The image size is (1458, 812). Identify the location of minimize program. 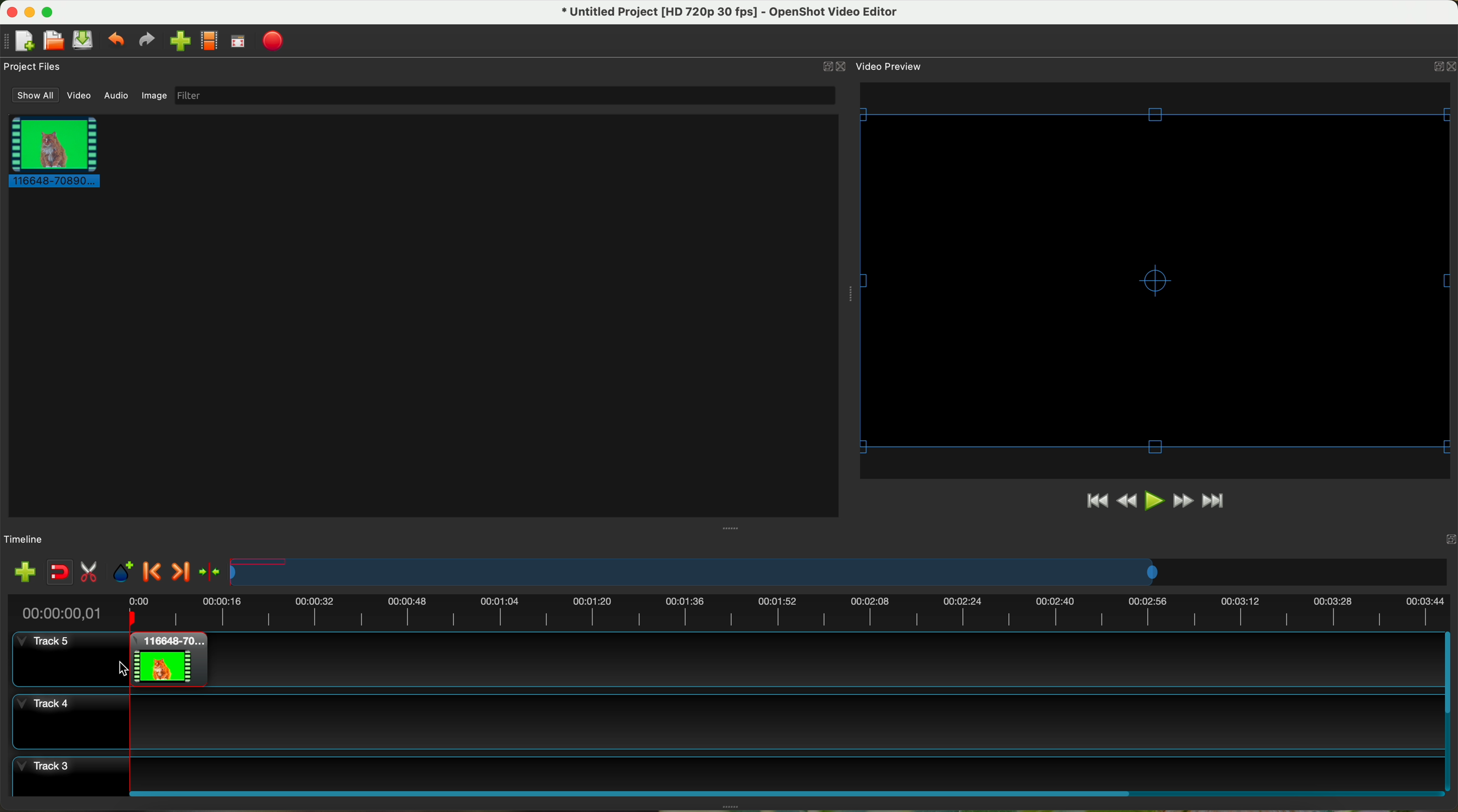
(31, 12).